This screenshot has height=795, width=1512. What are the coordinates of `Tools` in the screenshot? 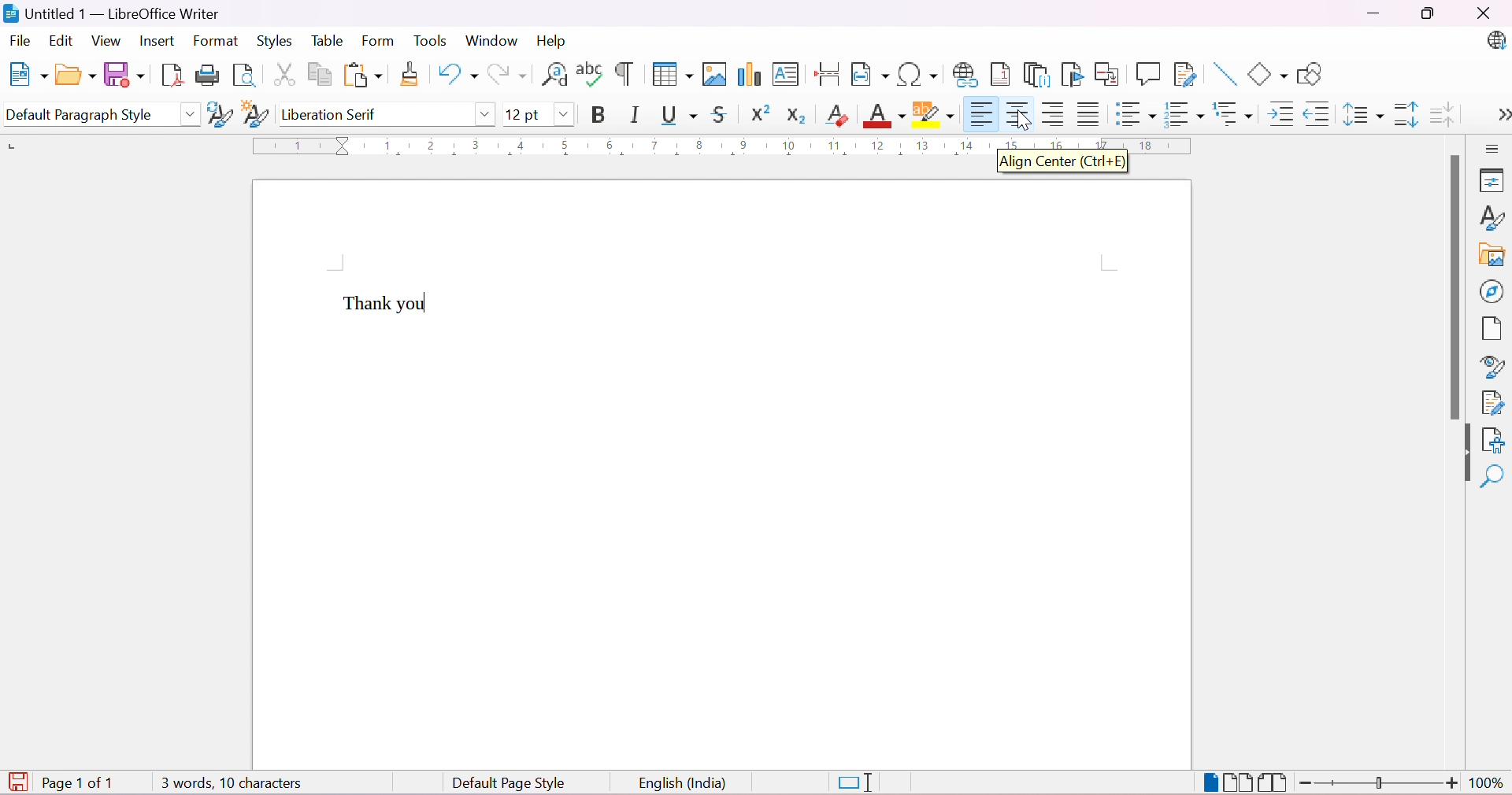 It's located at (432, 42).